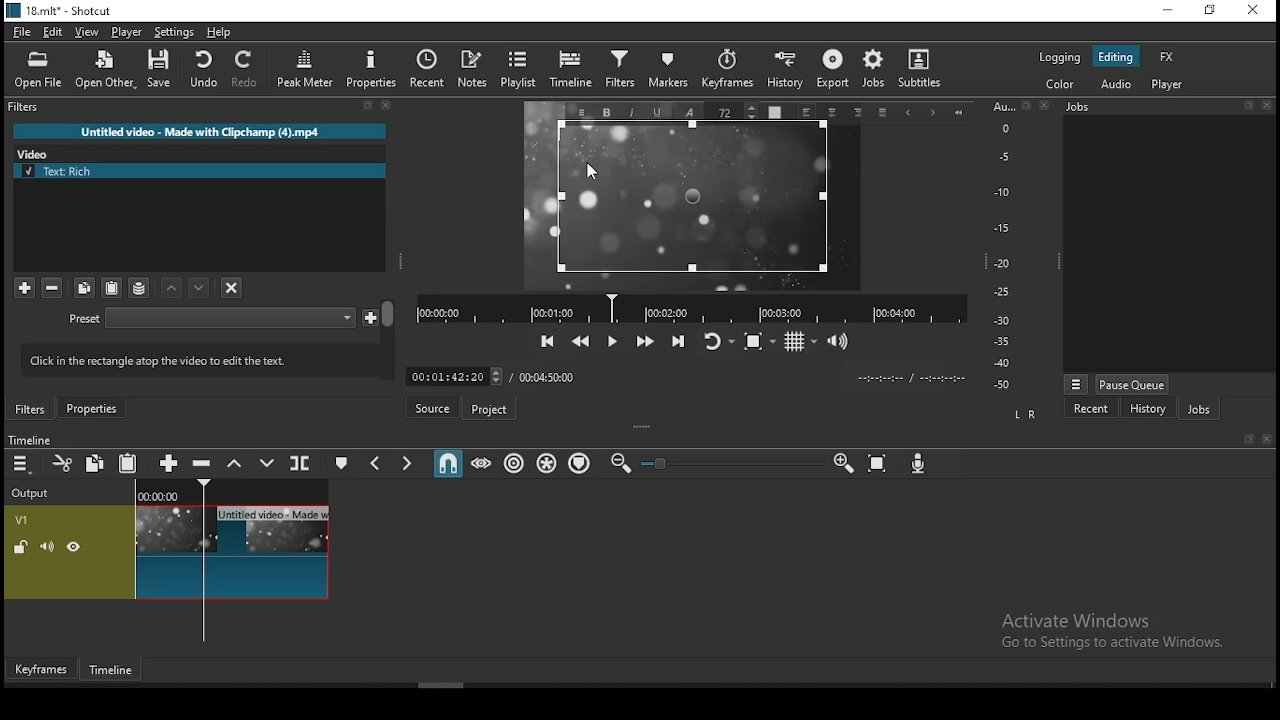 The image size is (1280, 720). I want to click on player, so click(1170, 84).